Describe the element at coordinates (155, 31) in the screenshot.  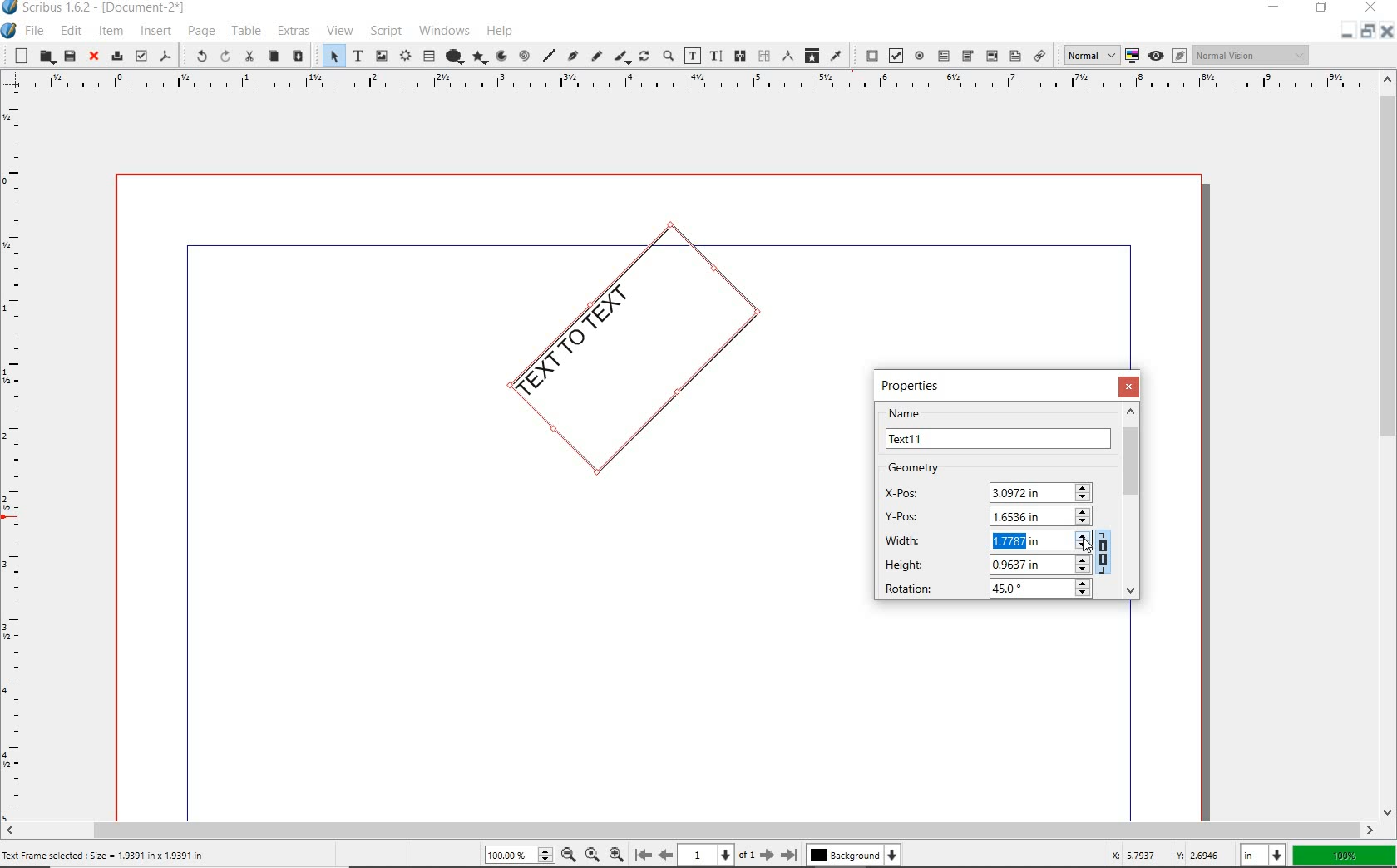
I see `insert` at that location.